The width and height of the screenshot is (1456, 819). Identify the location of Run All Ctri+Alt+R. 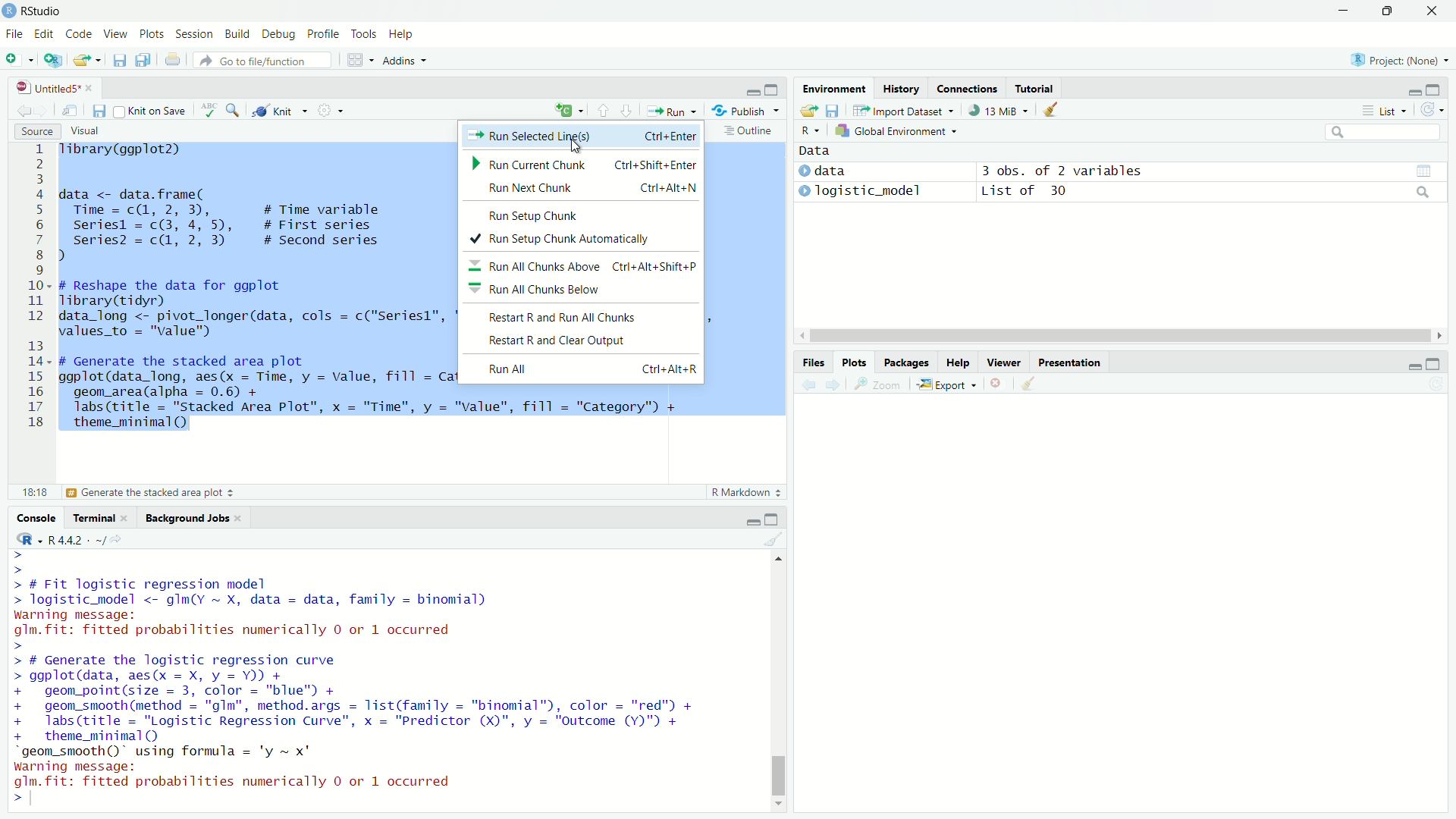
(589, 369).